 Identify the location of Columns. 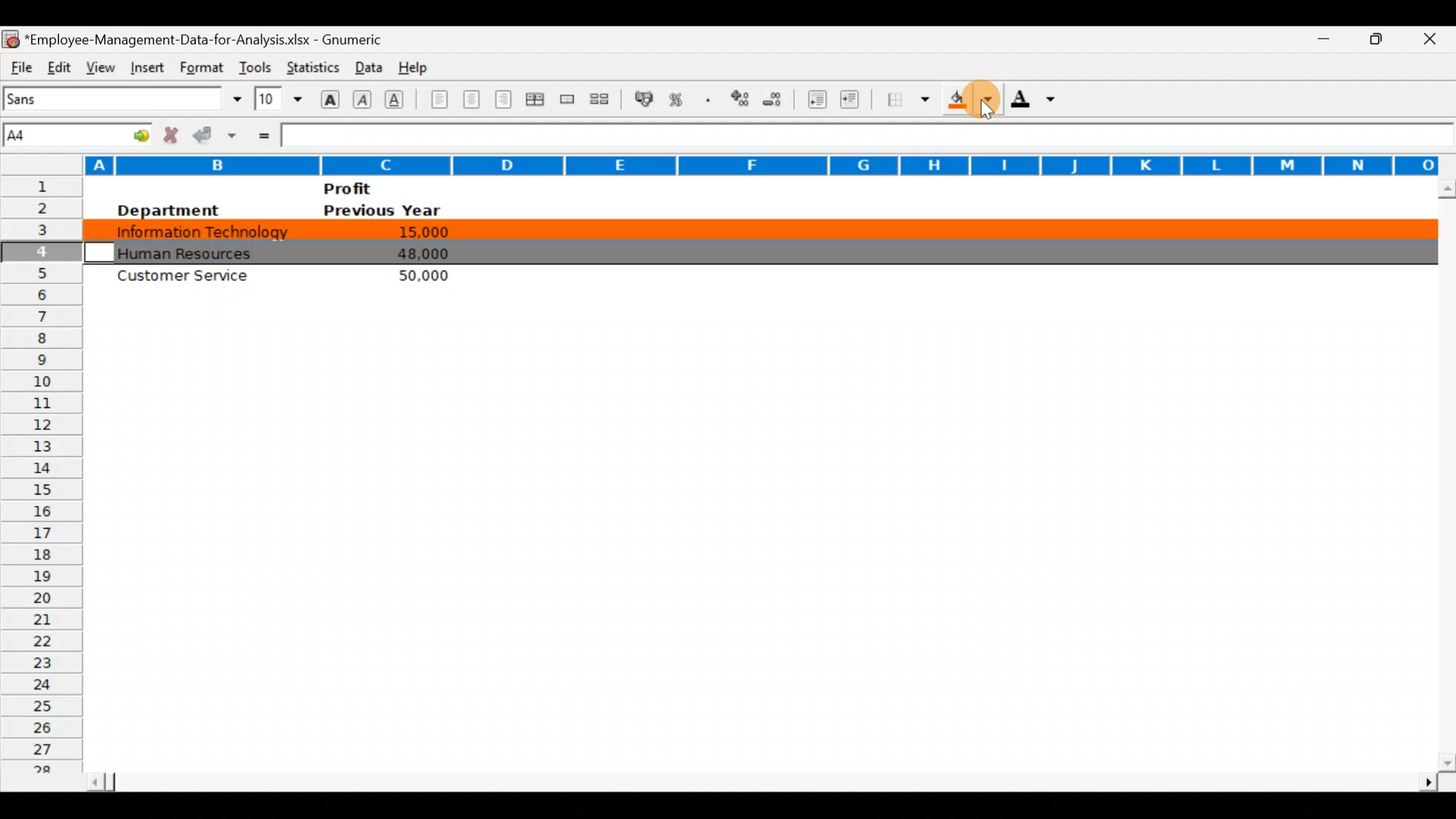
(724, 161).